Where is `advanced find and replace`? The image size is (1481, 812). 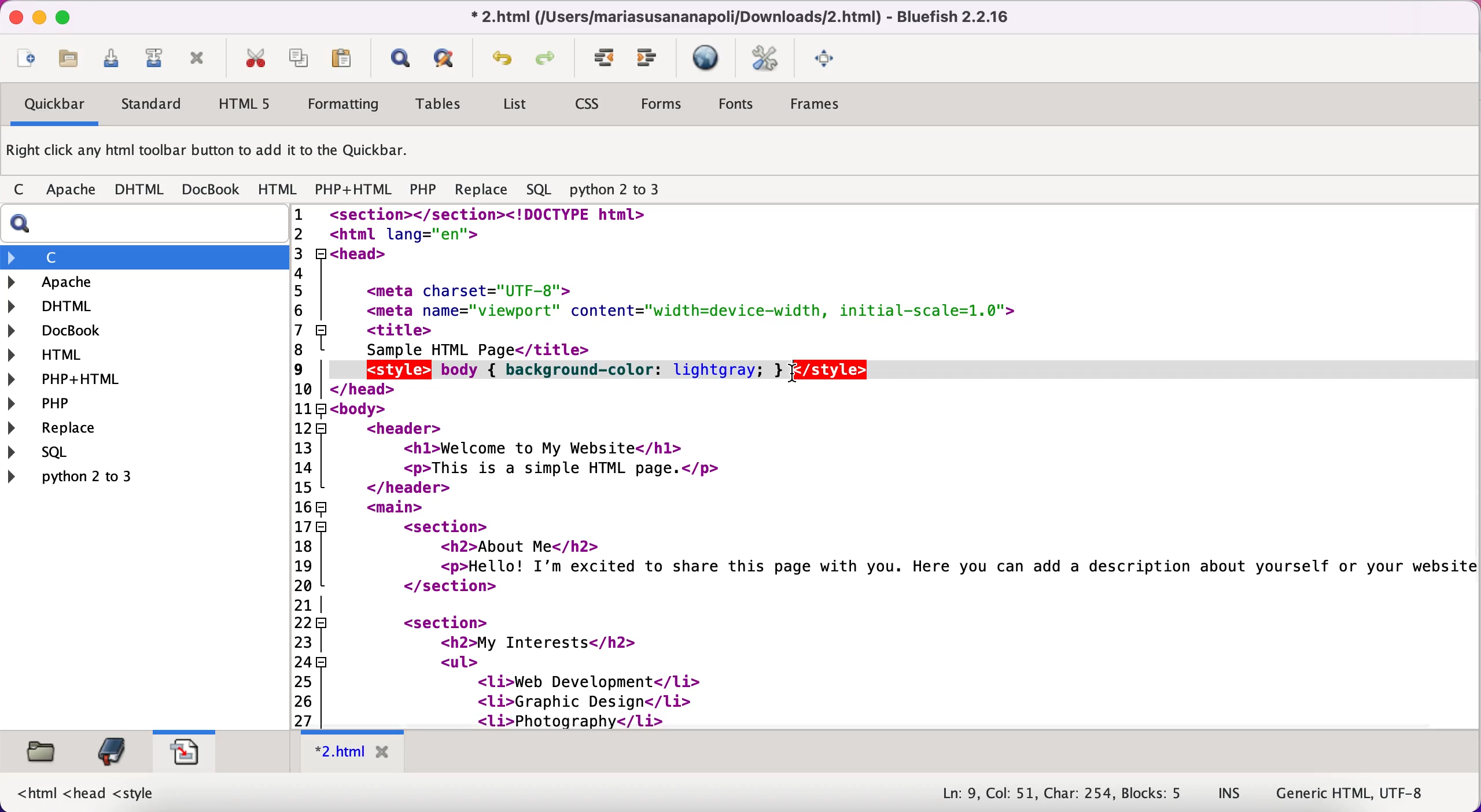
advanced find and replace is located at coordinates (447, 58).